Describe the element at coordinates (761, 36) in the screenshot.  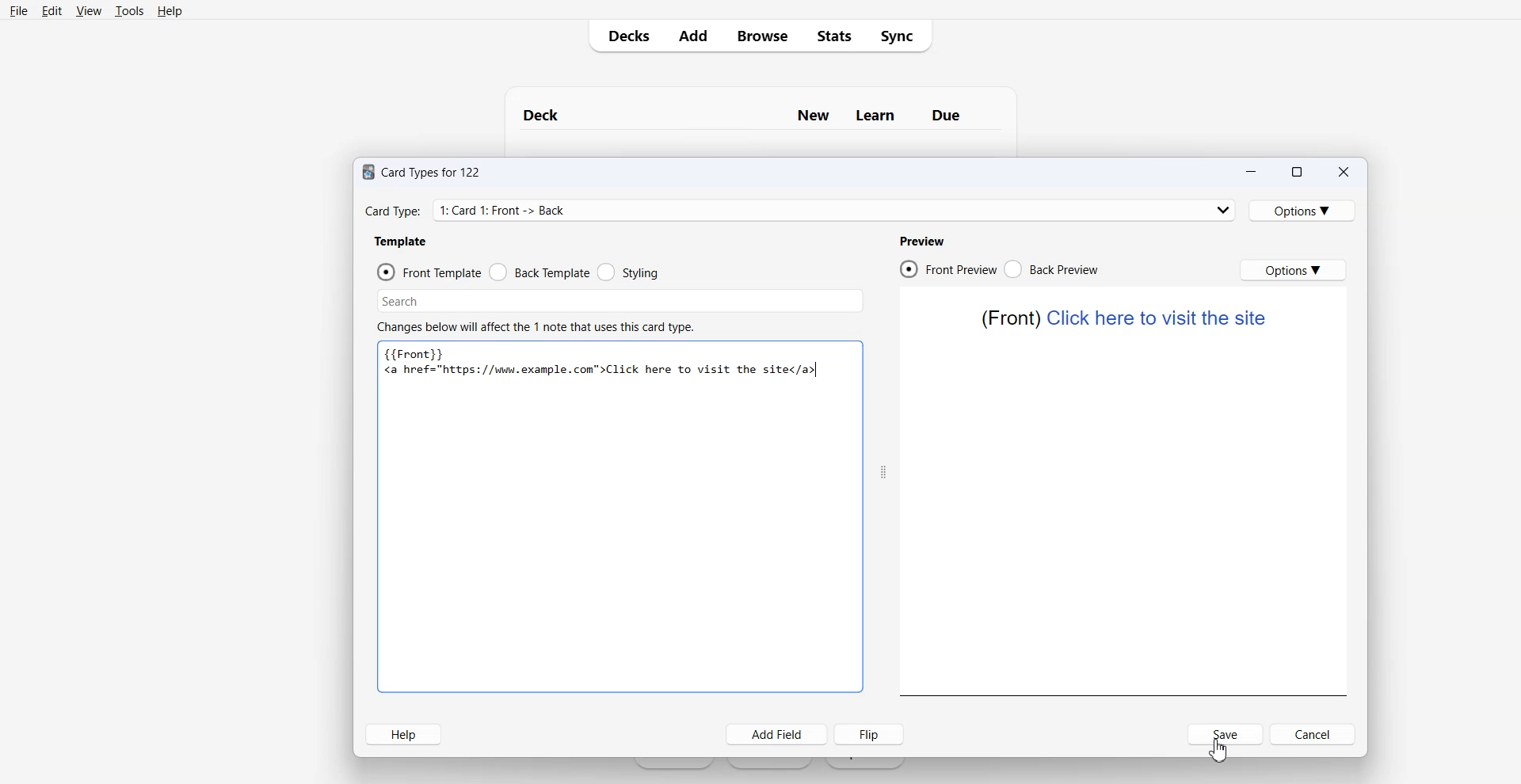
I see `Browser` at that location.